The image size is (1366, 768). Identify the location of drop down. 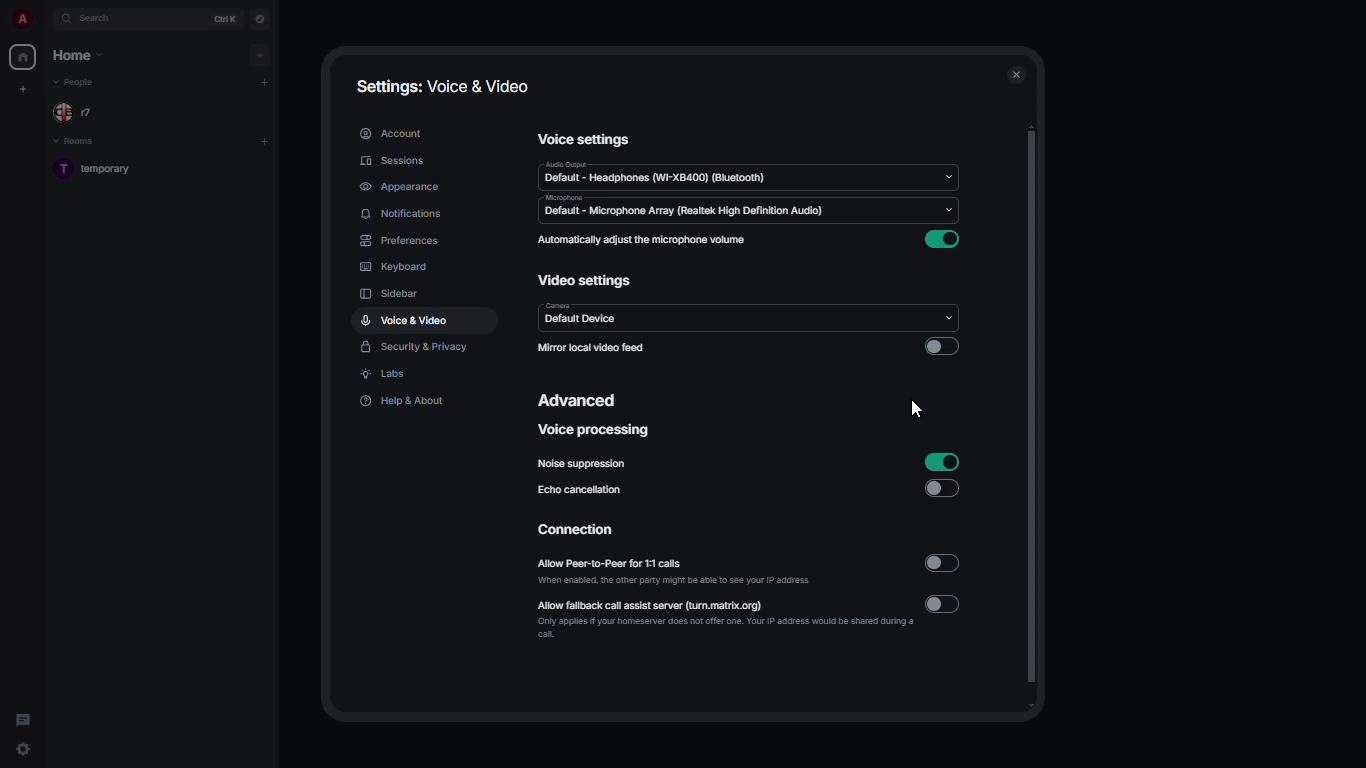
(946, 317).